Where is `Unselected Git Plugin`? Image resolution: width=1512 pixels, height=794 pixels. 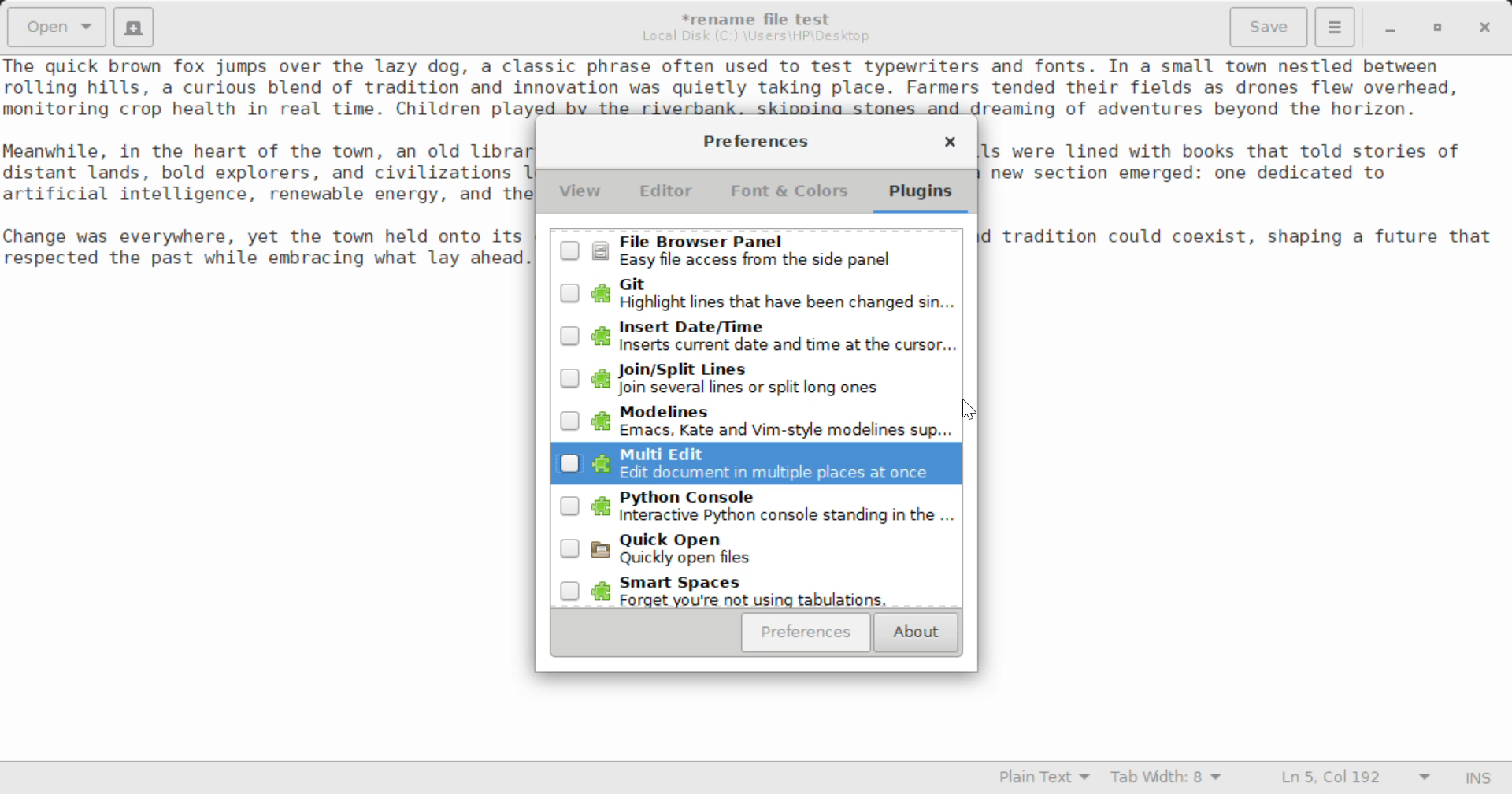 Unselected Git Plugin is located at coordinates (760, 293).